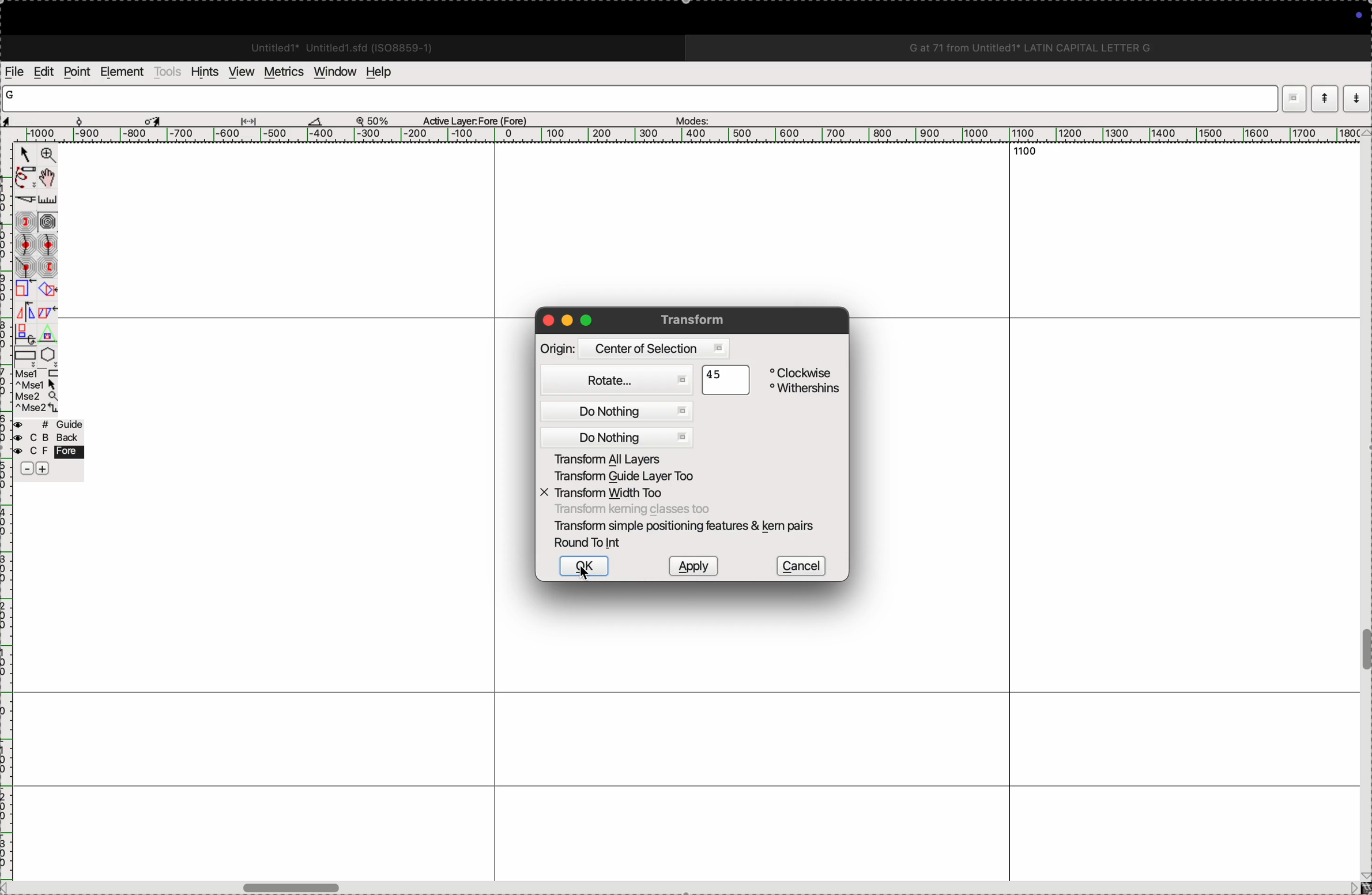 The image size is (1372, 895). What do you see at coordinates (642, 99) in the screenshot?
I see `word list input` at bounding box center [642, 99].